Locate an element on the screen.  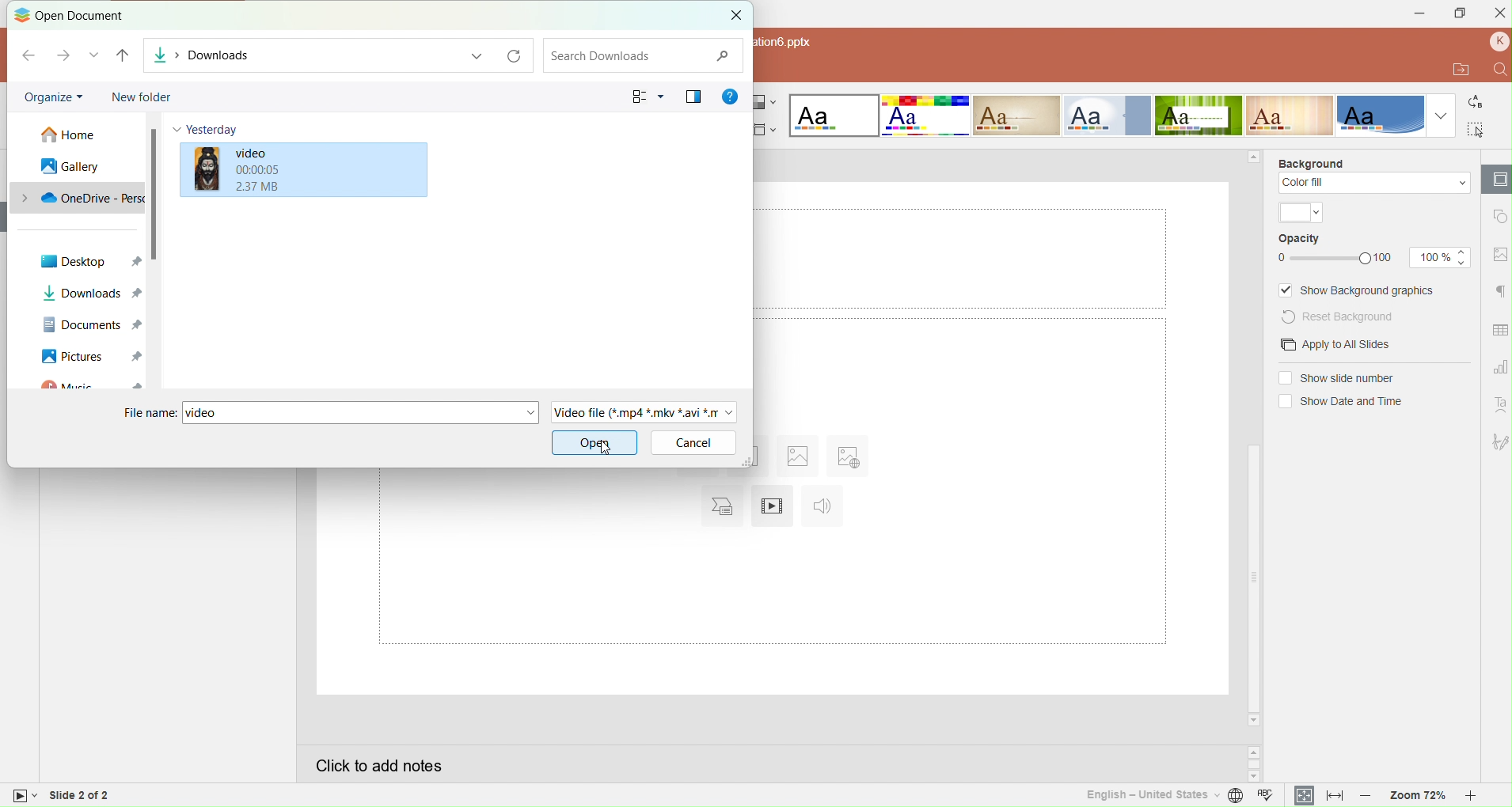
Theme color is located at coordinates (1298, 212).